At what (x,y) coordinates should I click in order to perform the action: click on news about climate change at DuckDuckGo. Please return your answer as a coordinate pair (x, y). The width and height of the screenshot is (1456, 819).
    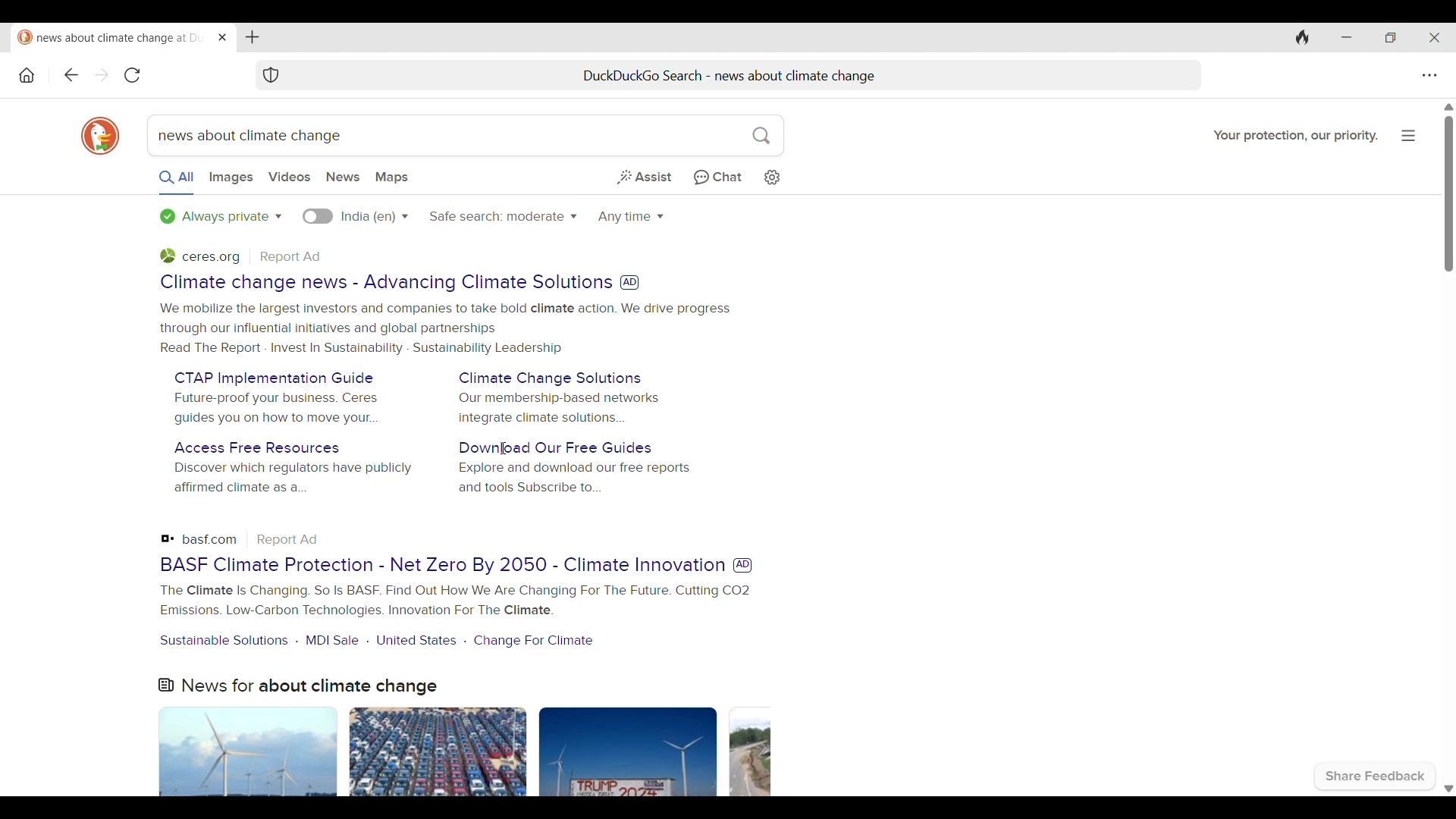
    Looking at the image, I should click on (110, 37).